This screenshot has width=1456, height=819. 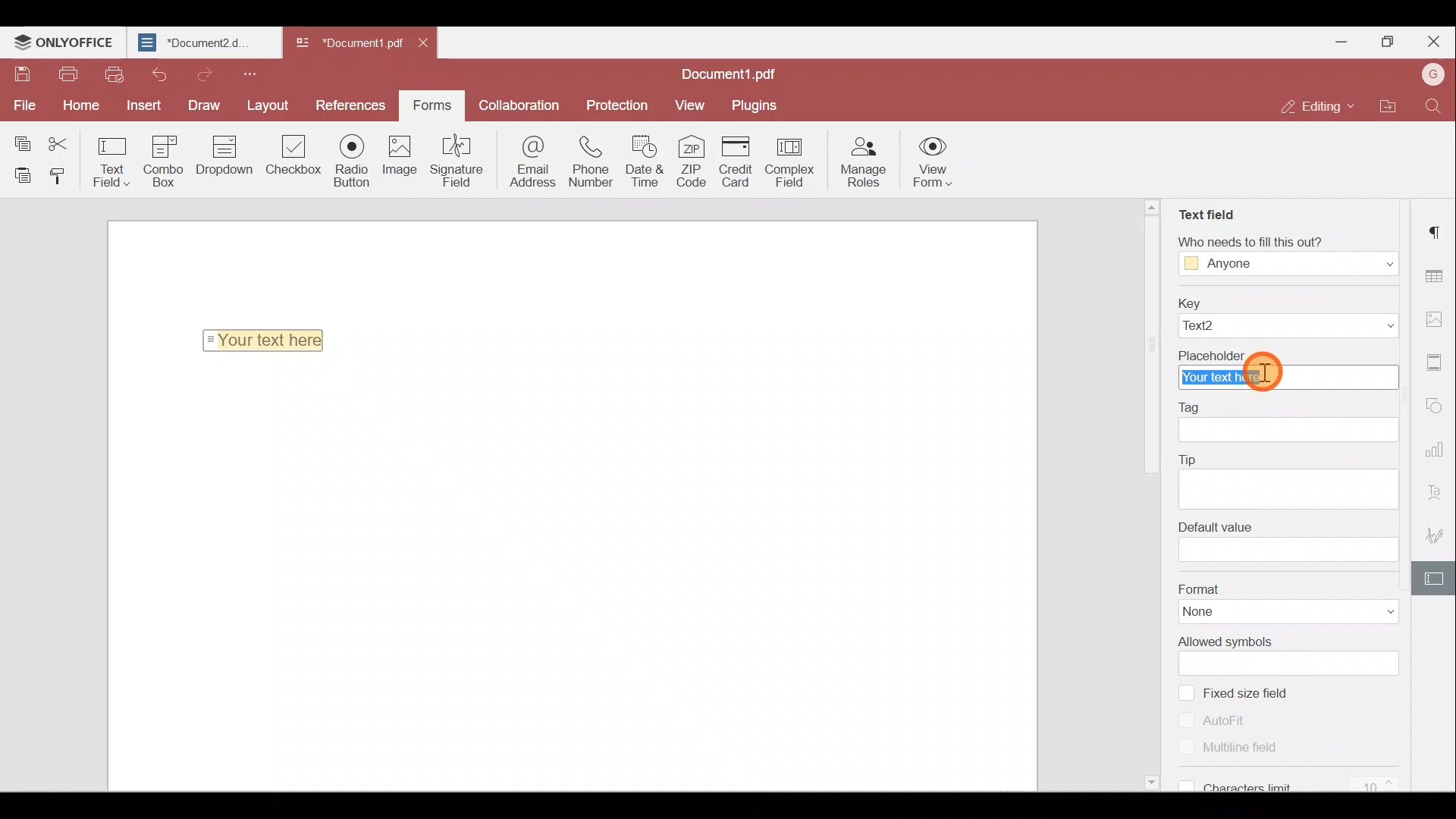 I want to click on Date & time, so click(x=645, y=165).